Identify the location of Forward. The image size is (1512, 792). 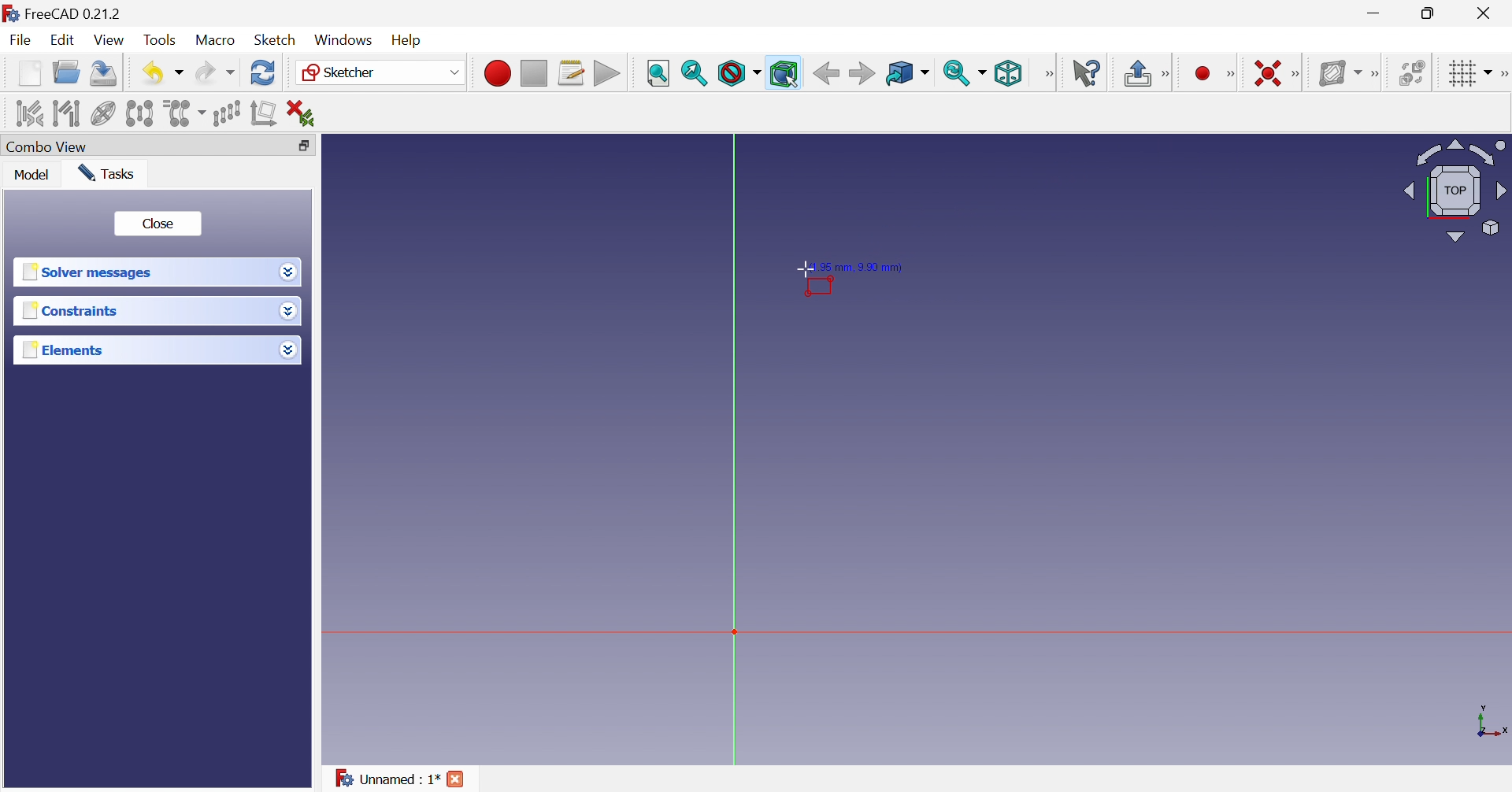
(862, 74).